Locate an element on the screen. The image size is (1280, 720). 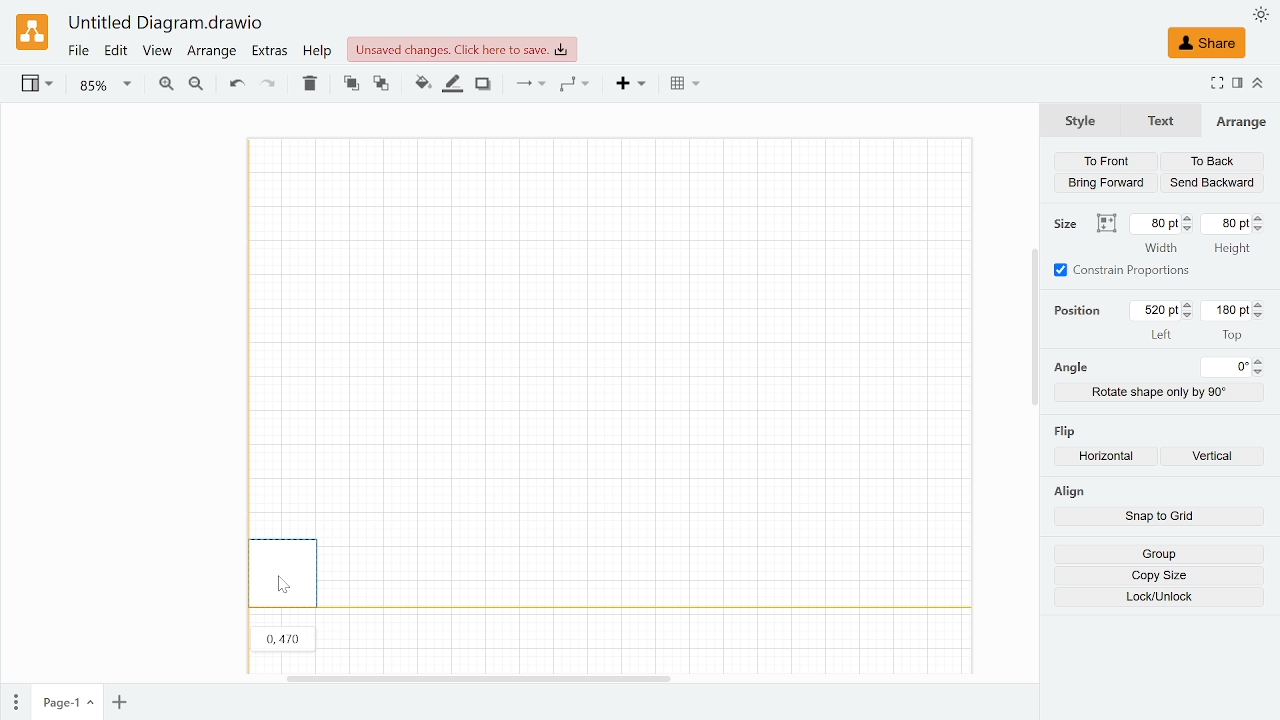
Current width is located at coordinates (1156, 223).